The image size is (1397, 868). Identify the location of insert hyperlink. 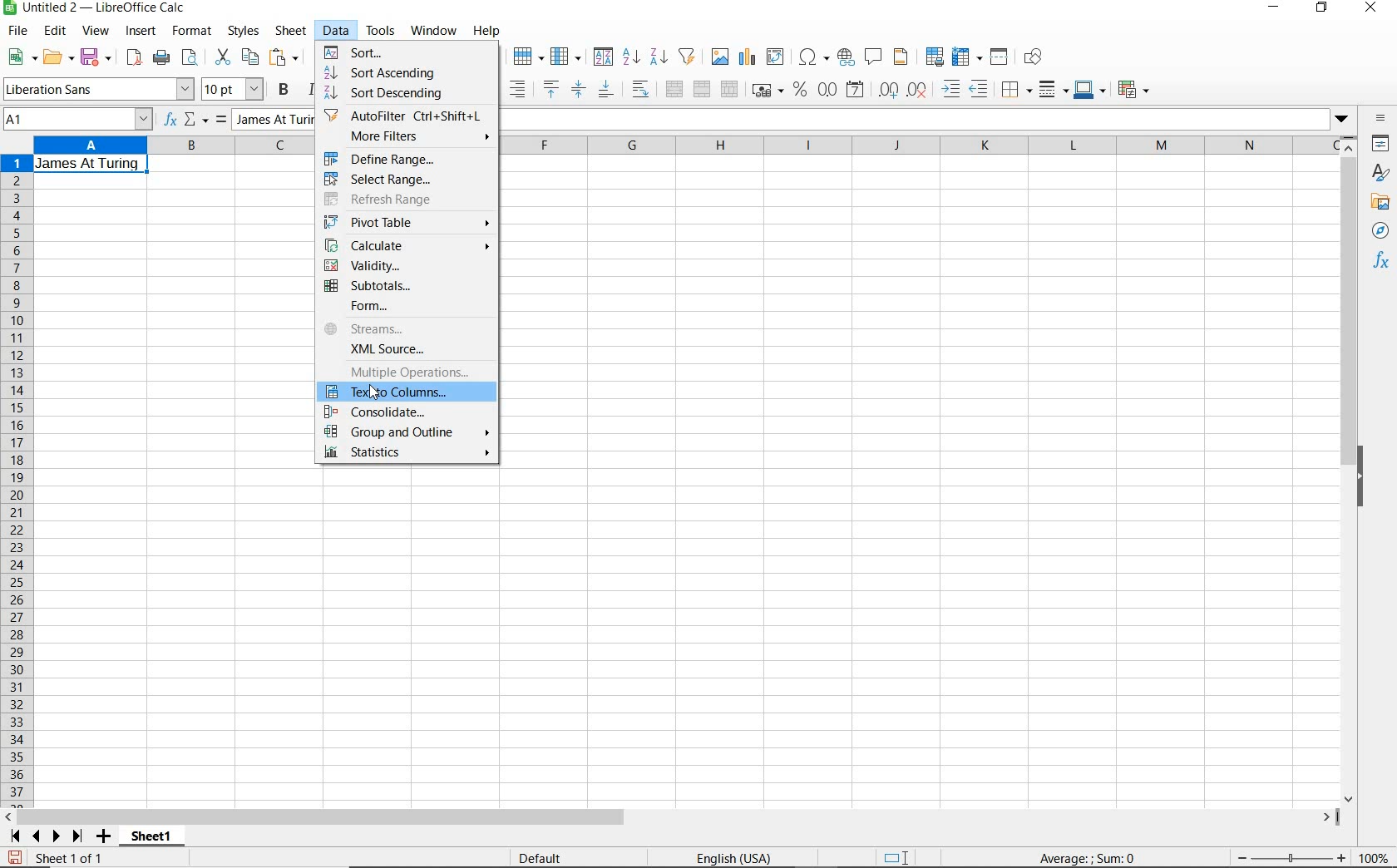
(847, 59).